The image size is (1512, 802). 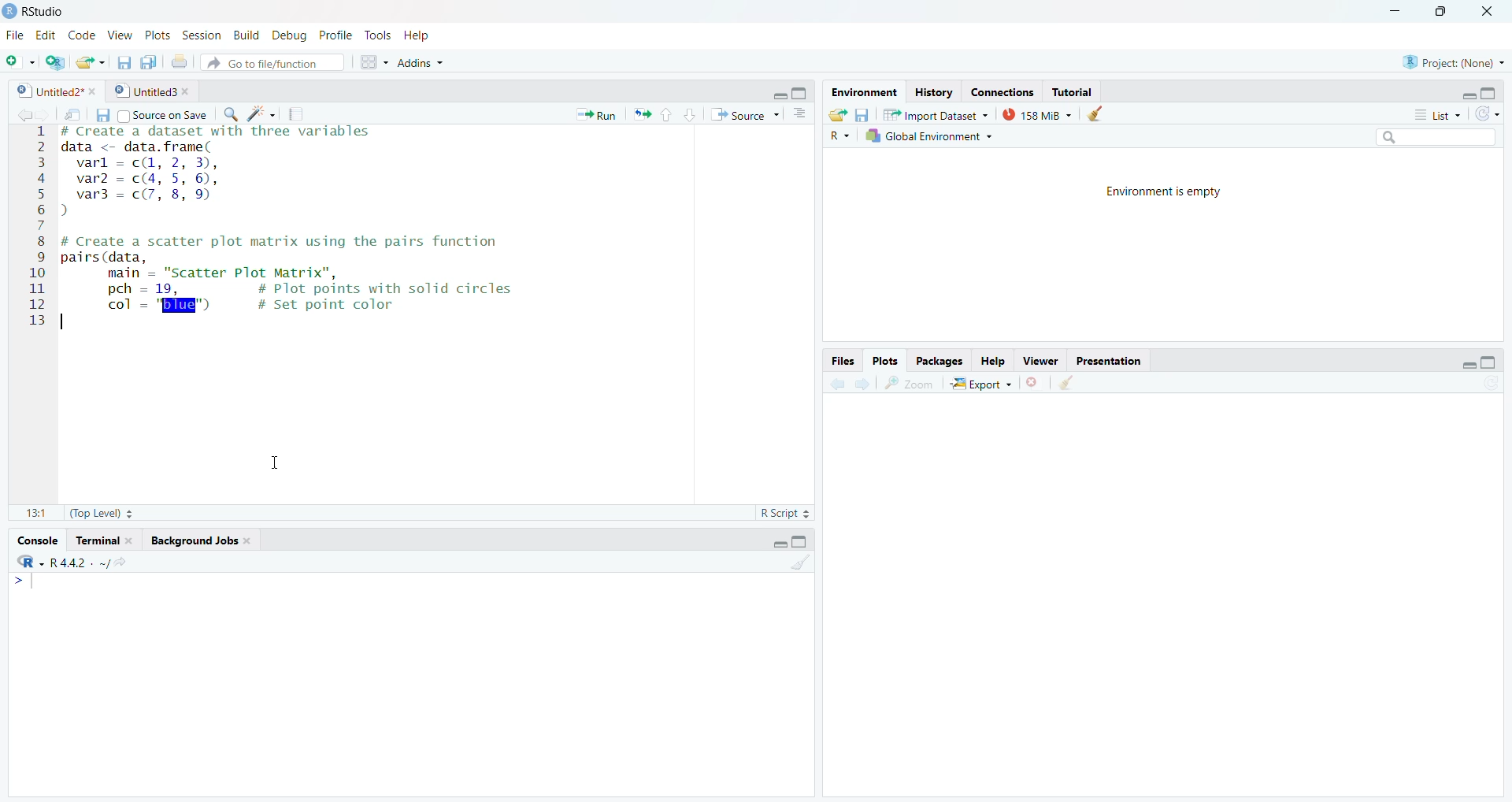 I want to click on Minimize/maximize, so click(x=1475, y=360).